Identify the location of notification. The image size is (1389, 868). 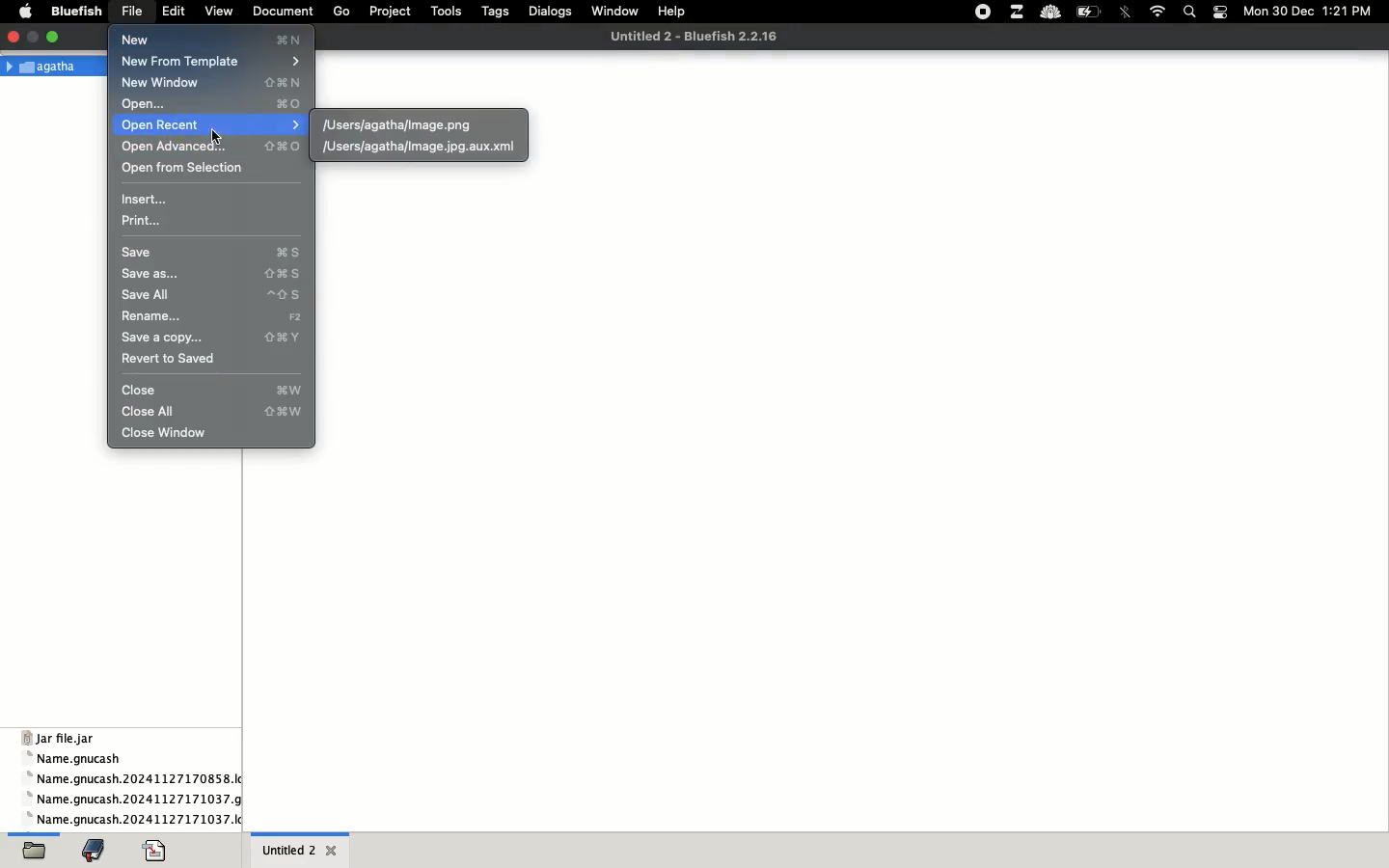
(1222, 11).